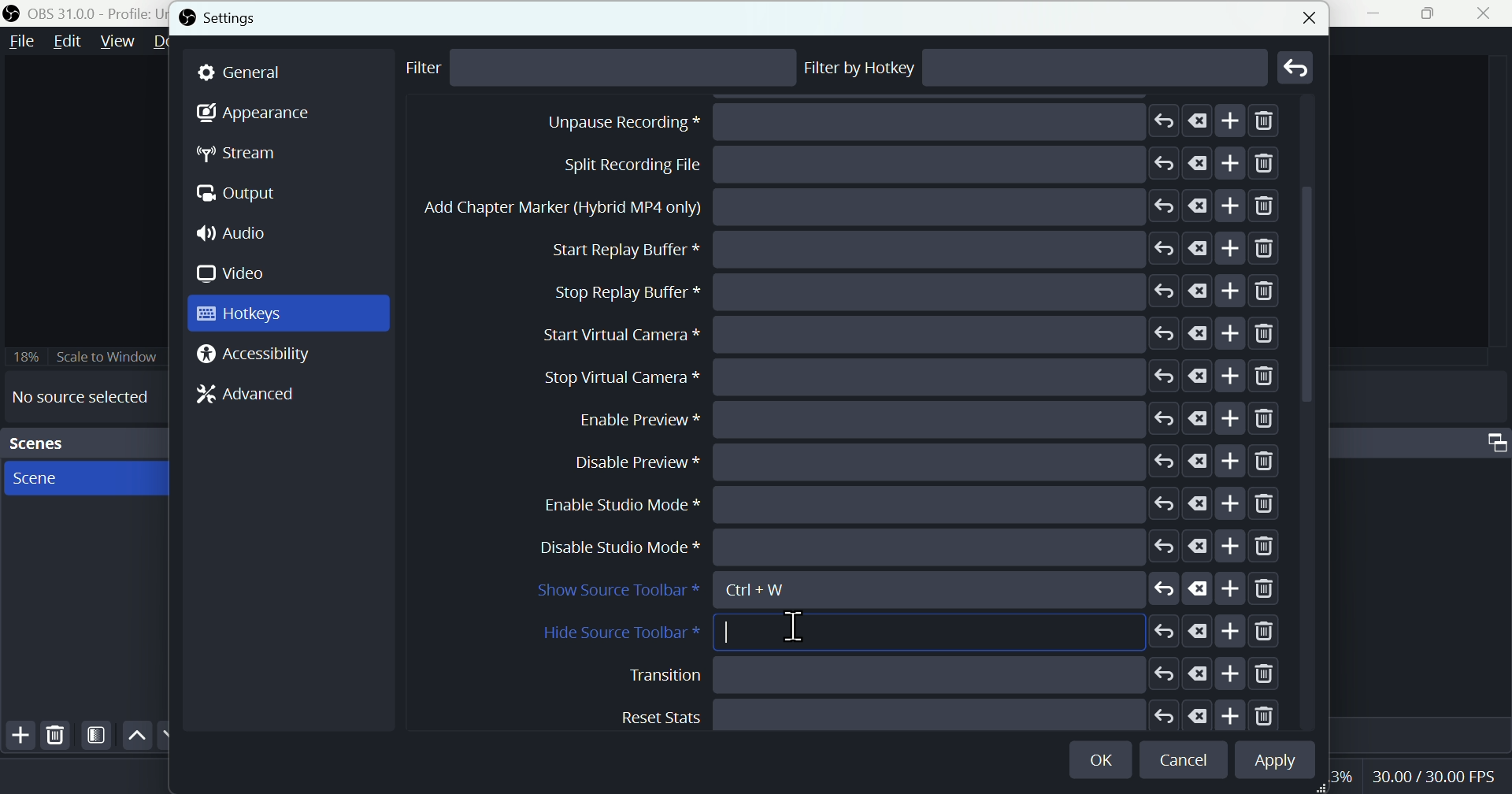 The height and width of the screenshot is (794, 1512). Describe the element at coordinates (886, 165) in the screenshot. I see `Start recording` at that location.